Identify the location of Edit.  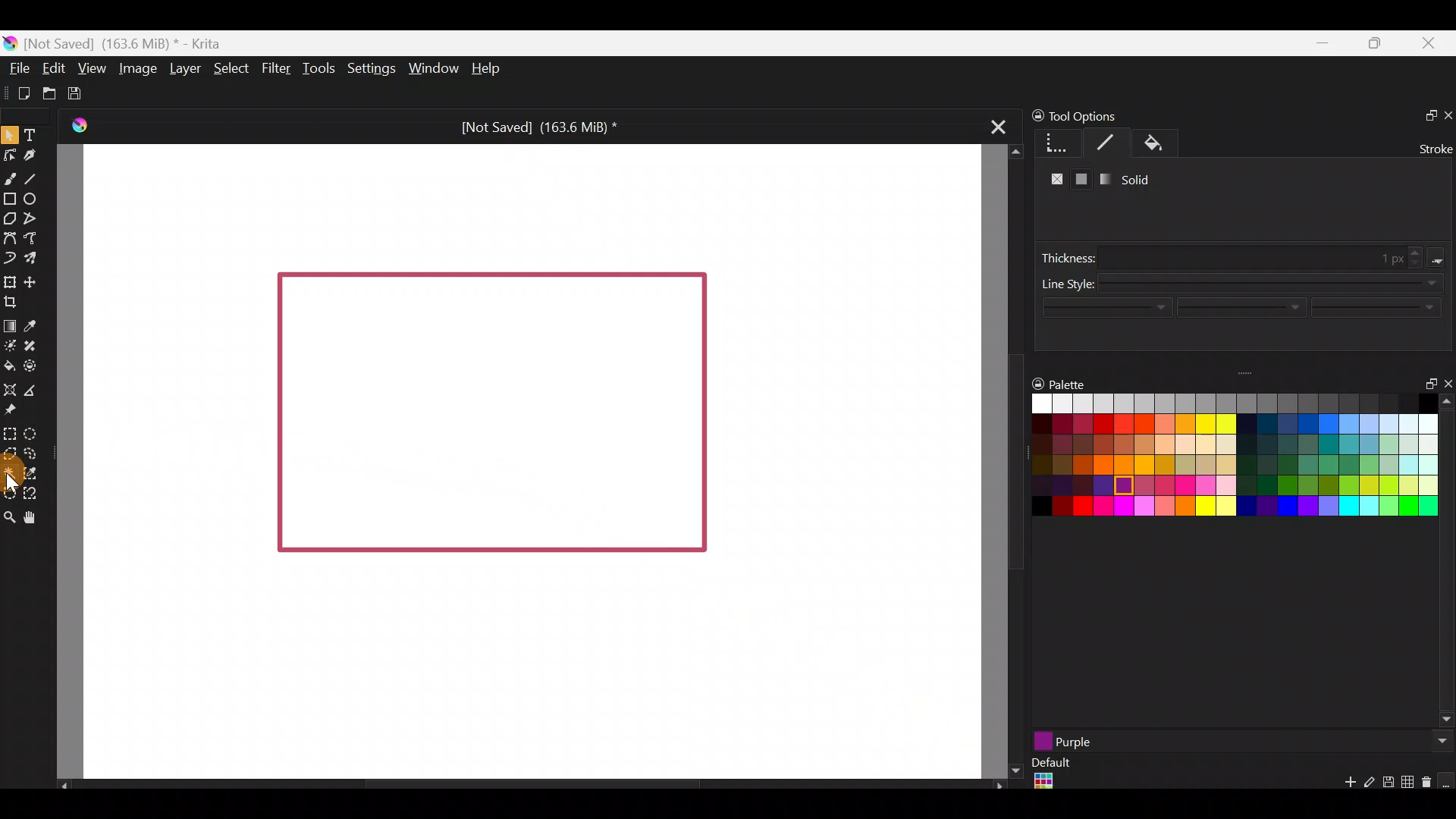
(53, 69).